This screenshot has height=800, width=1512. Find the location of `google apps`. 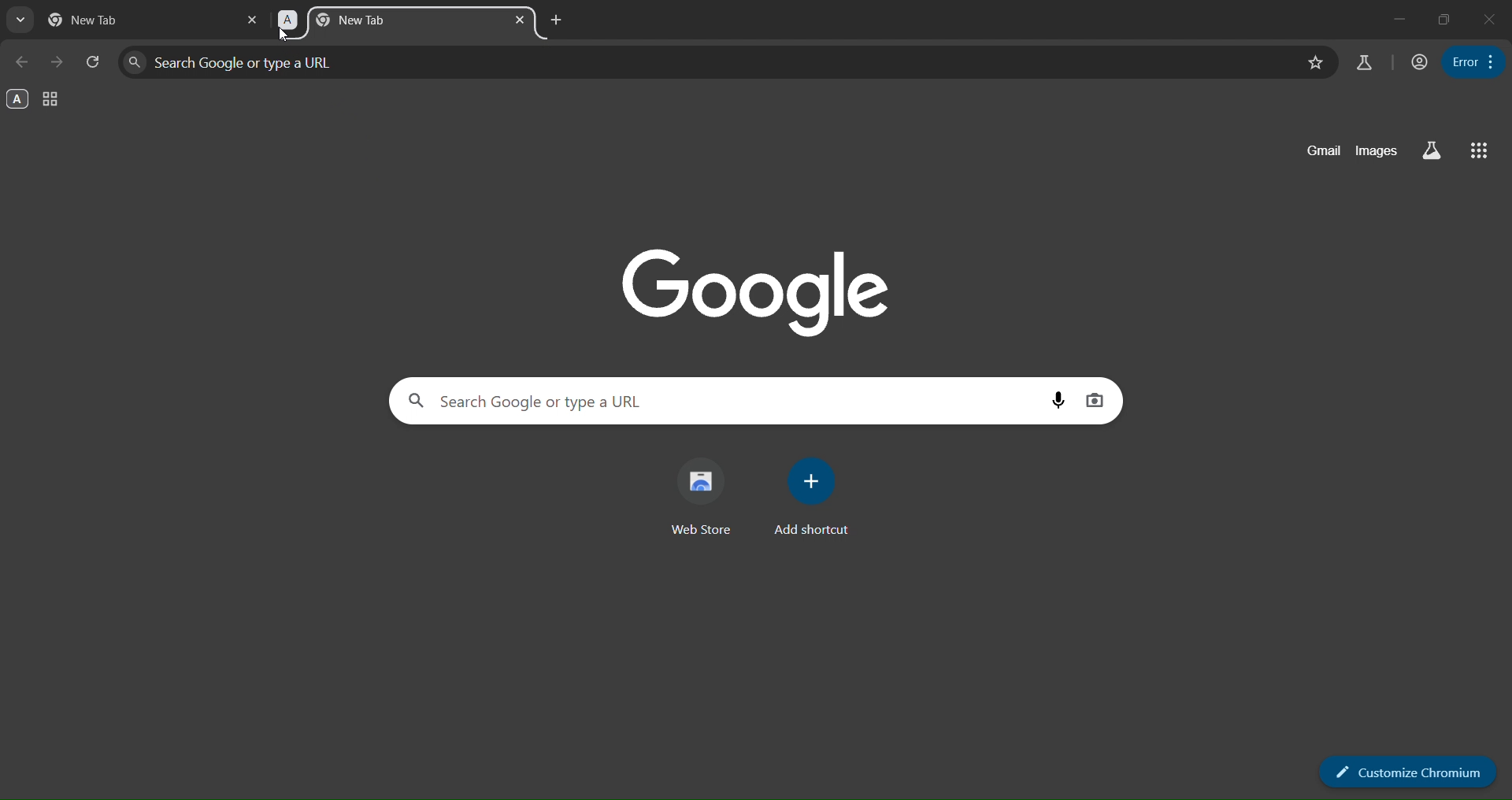

google apps is located at coordinates (1478, 151).